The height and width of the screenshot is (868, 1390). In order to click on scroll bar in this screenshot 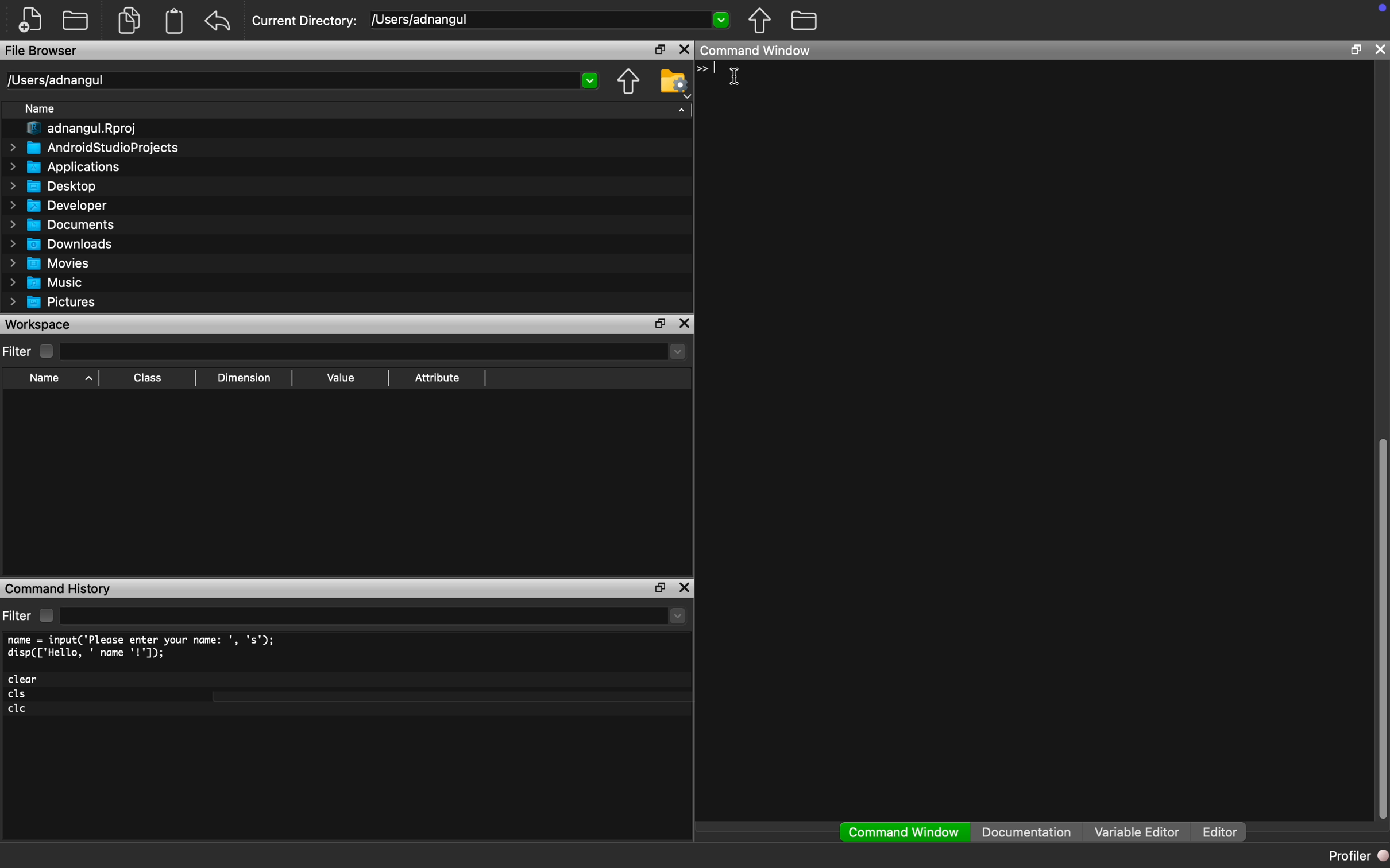, I will do `click(1381, 625)`.